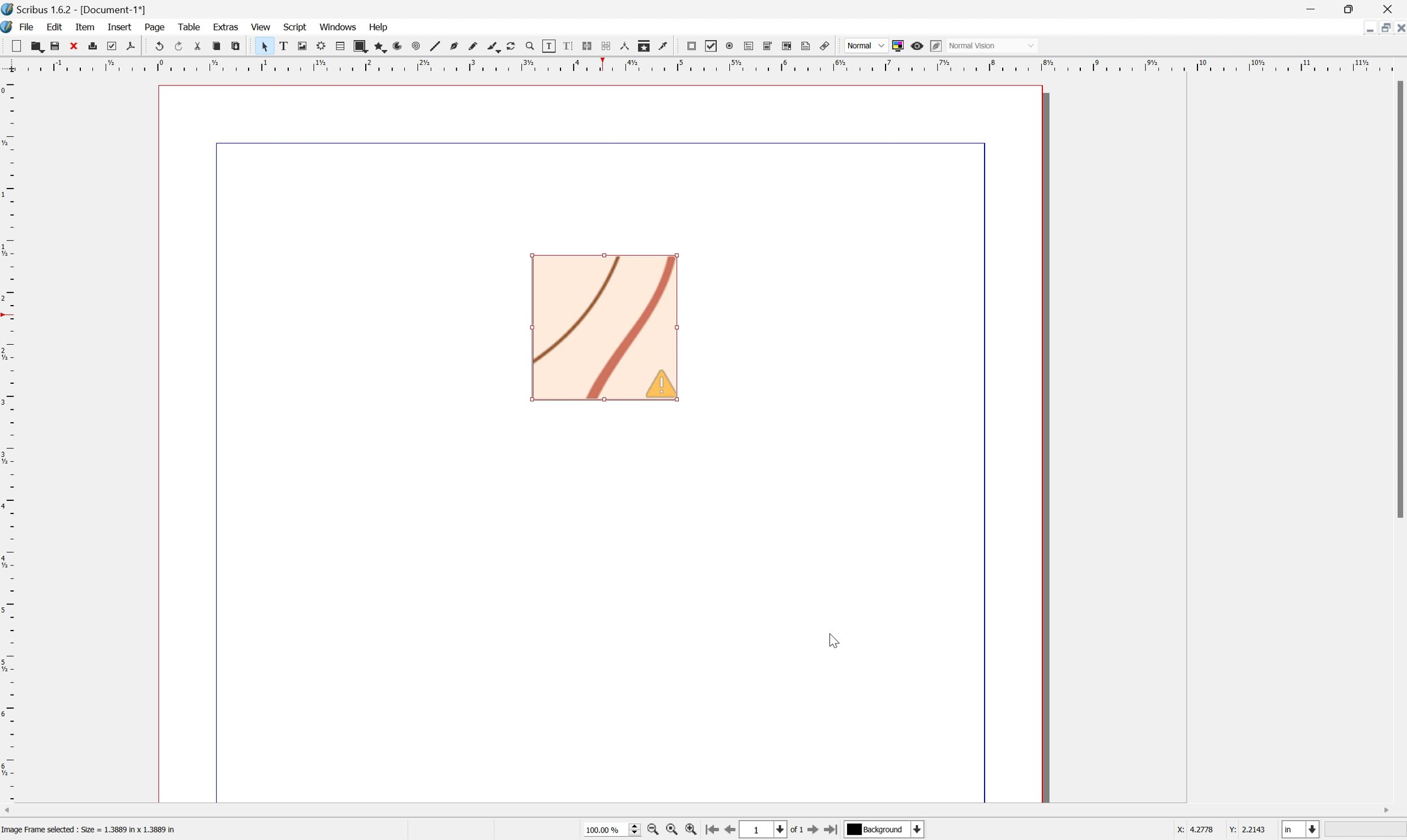 This screenshot has height=840, width=1407. What do you see at coordinates (973, 44) in the screenshot?
I see `normal vision` at bounding box center [973, 44].